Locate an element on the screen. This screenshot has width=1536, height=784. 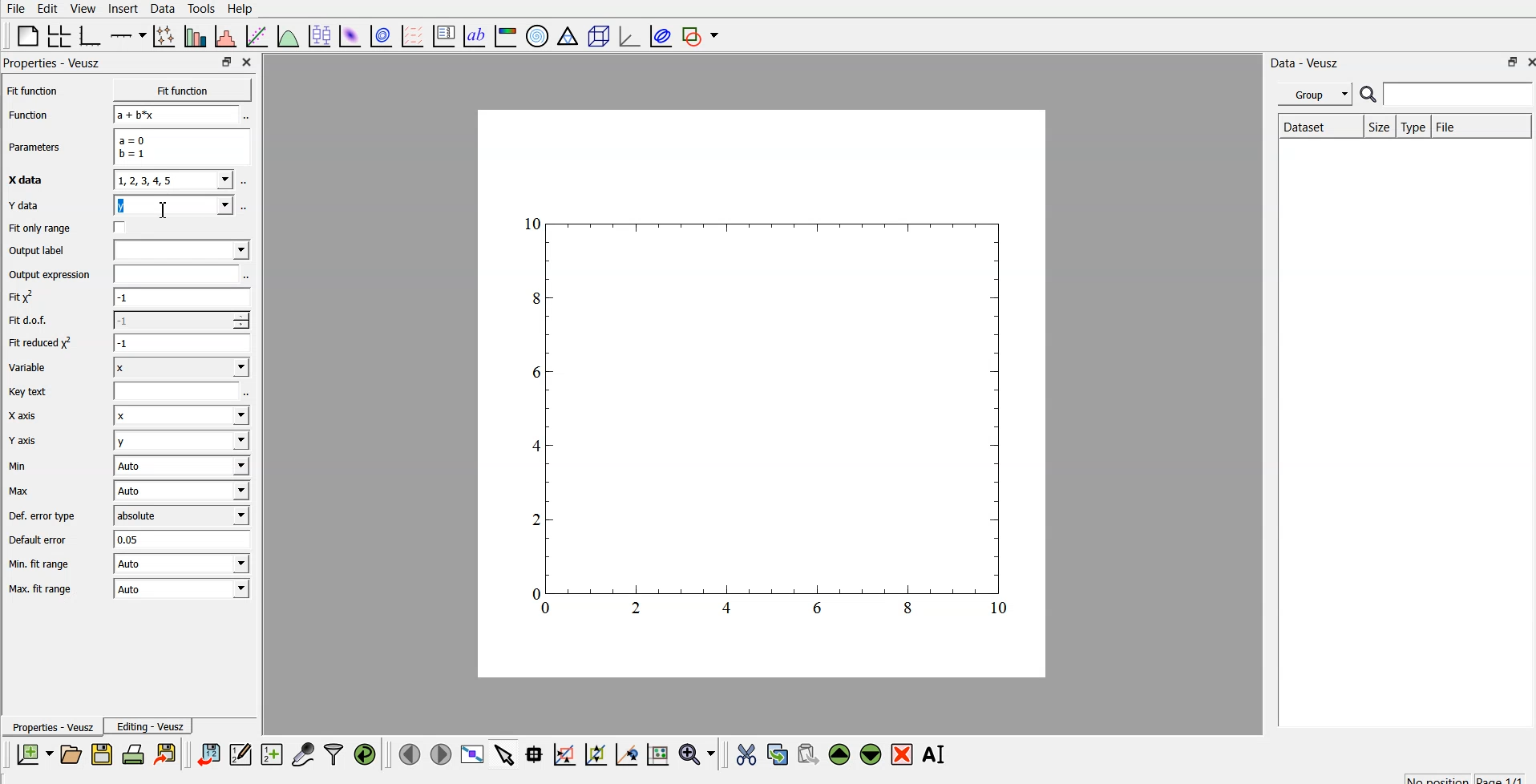
fit y^2 is located at coordinates (38, 298).